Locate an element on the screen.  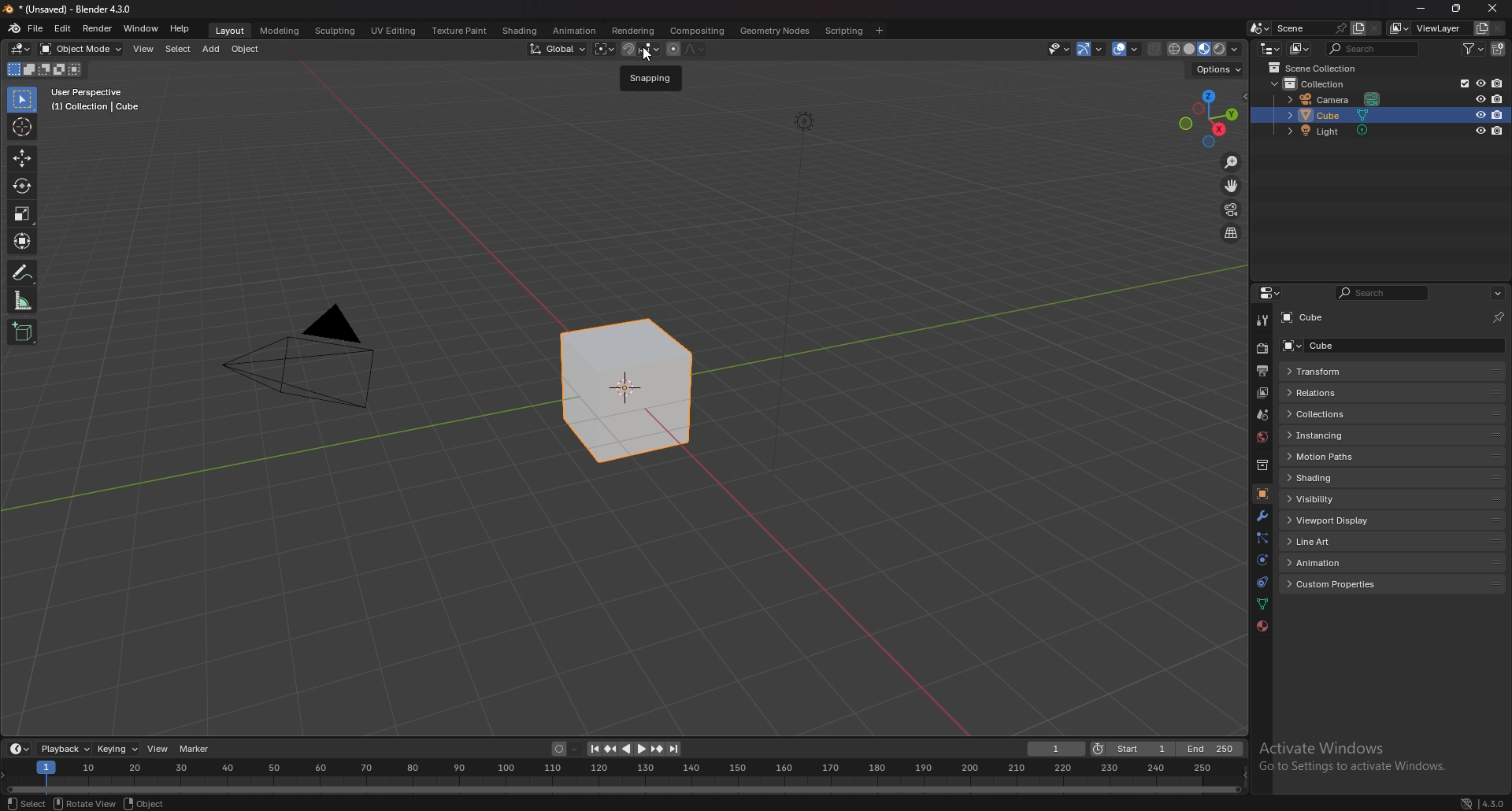
exclude from view layer is located at coordinates (1461, 83).